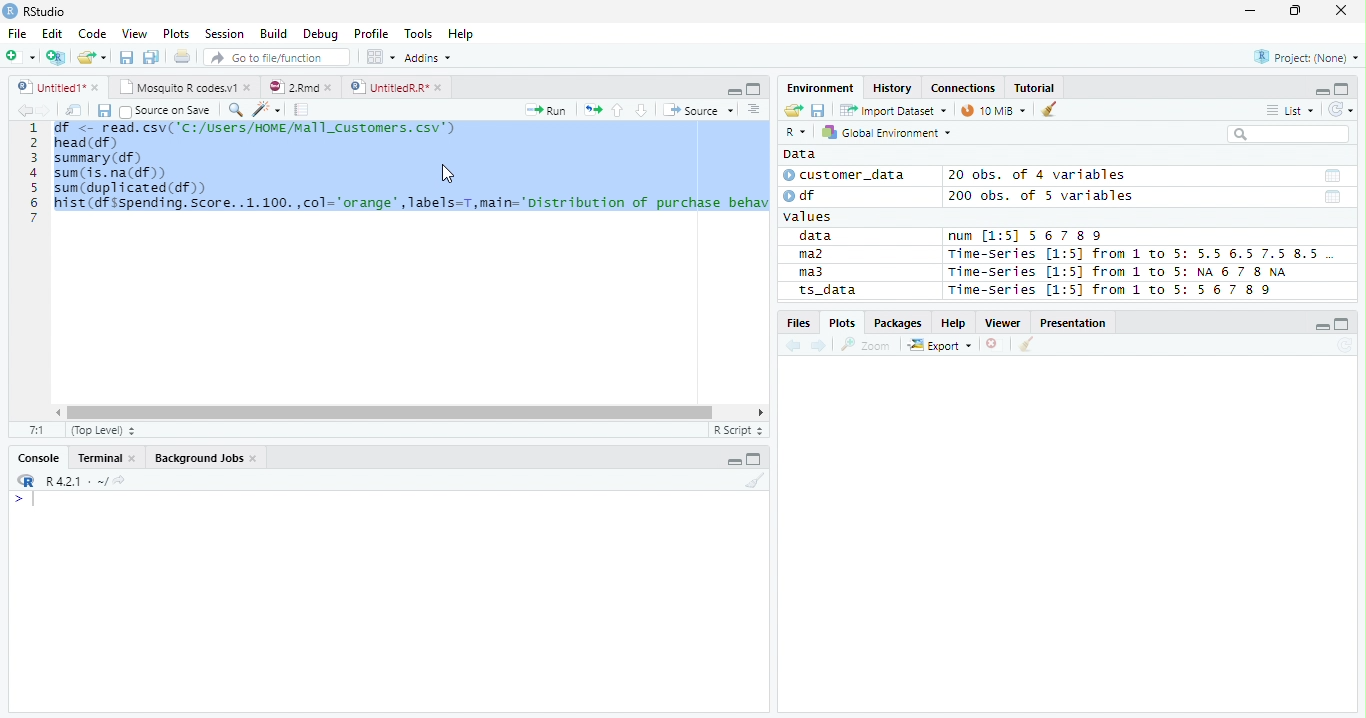 The image size is (1366, 718). I want to click on Refresh, so click(1345, 346).